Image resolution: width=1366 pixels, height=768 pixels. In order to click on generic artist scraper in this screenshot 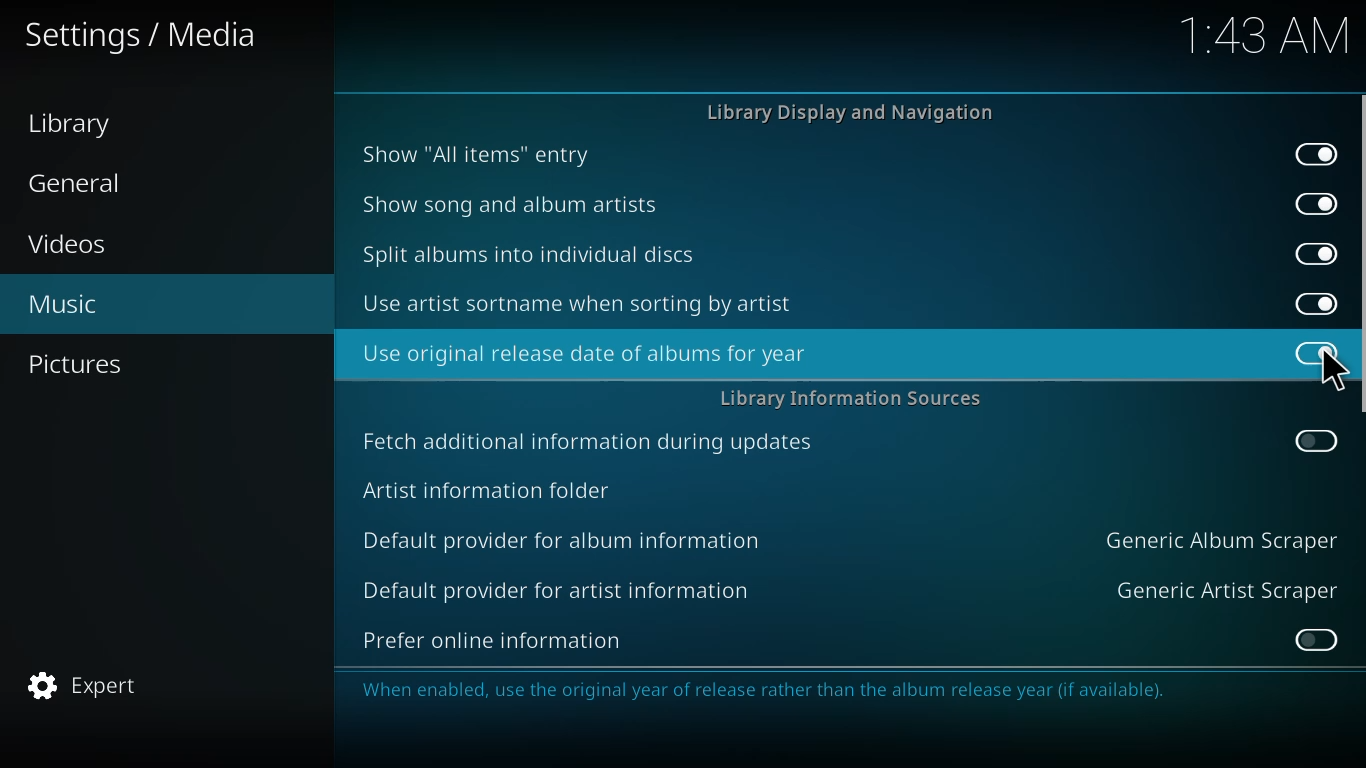, I will do `click(1226, 589)`.